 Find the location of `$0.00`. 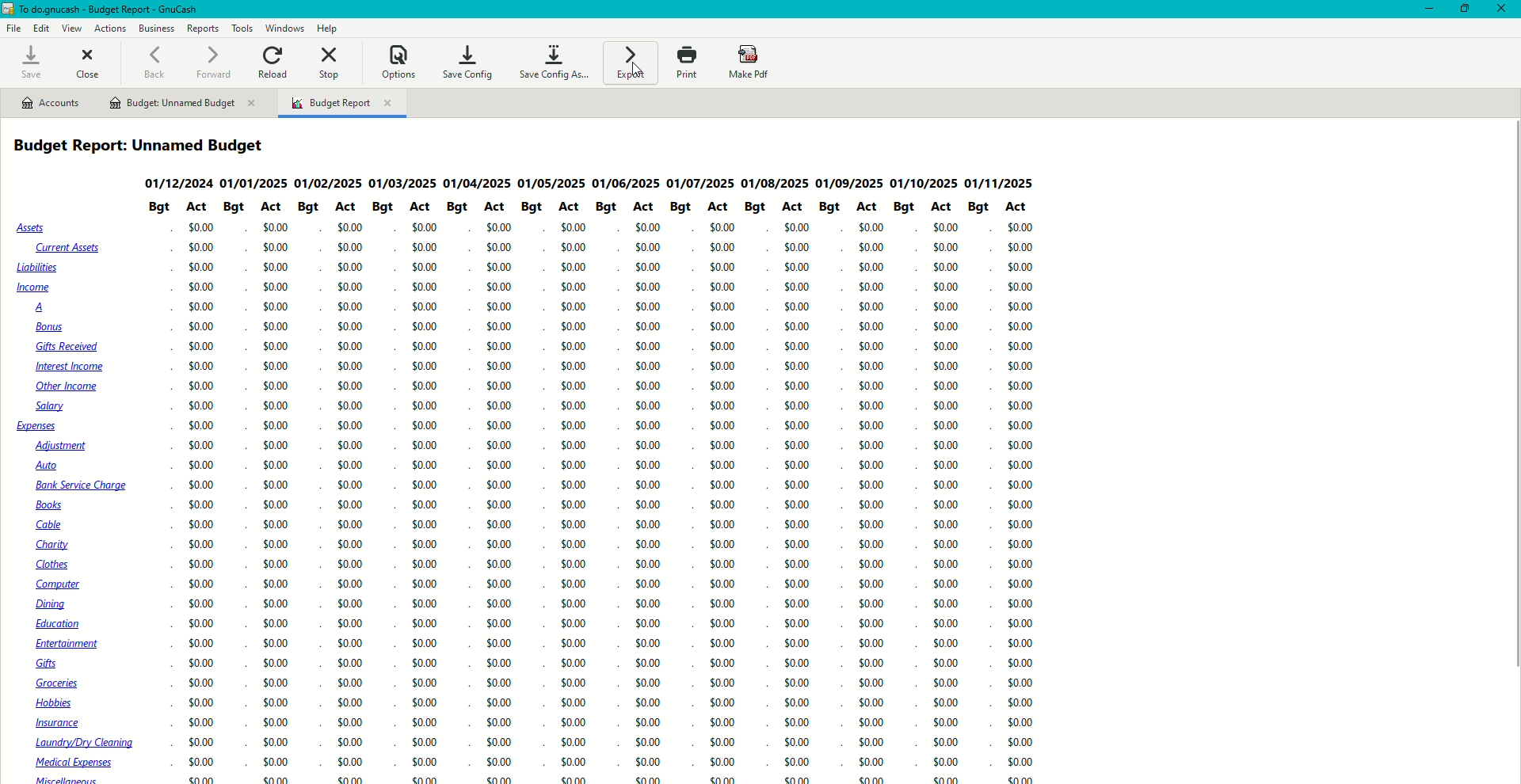

$0.00 is located at coordinates (280, 584).